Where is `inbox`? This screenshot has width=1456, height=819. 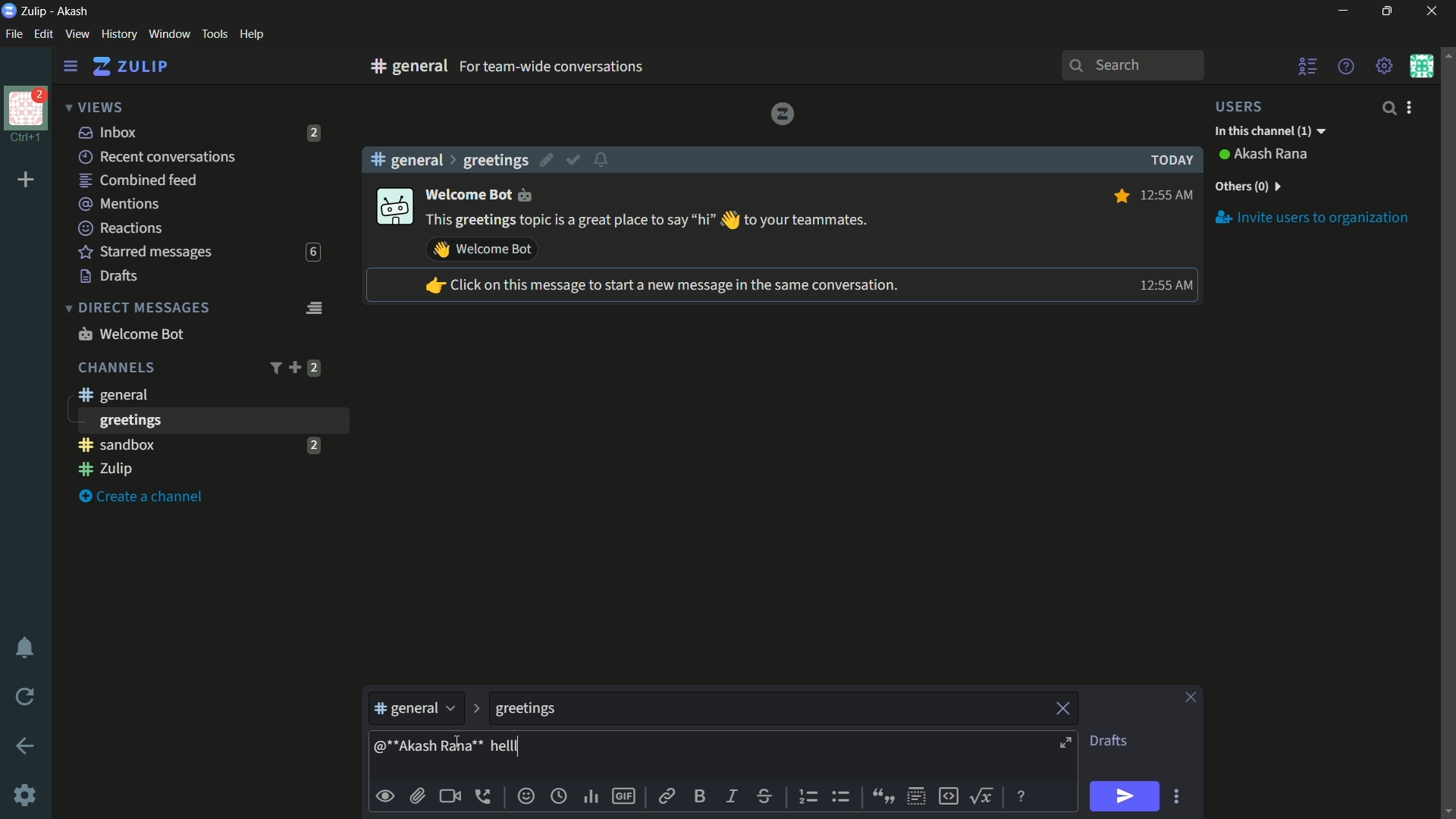 inbox is located at coordinates (108, 132).